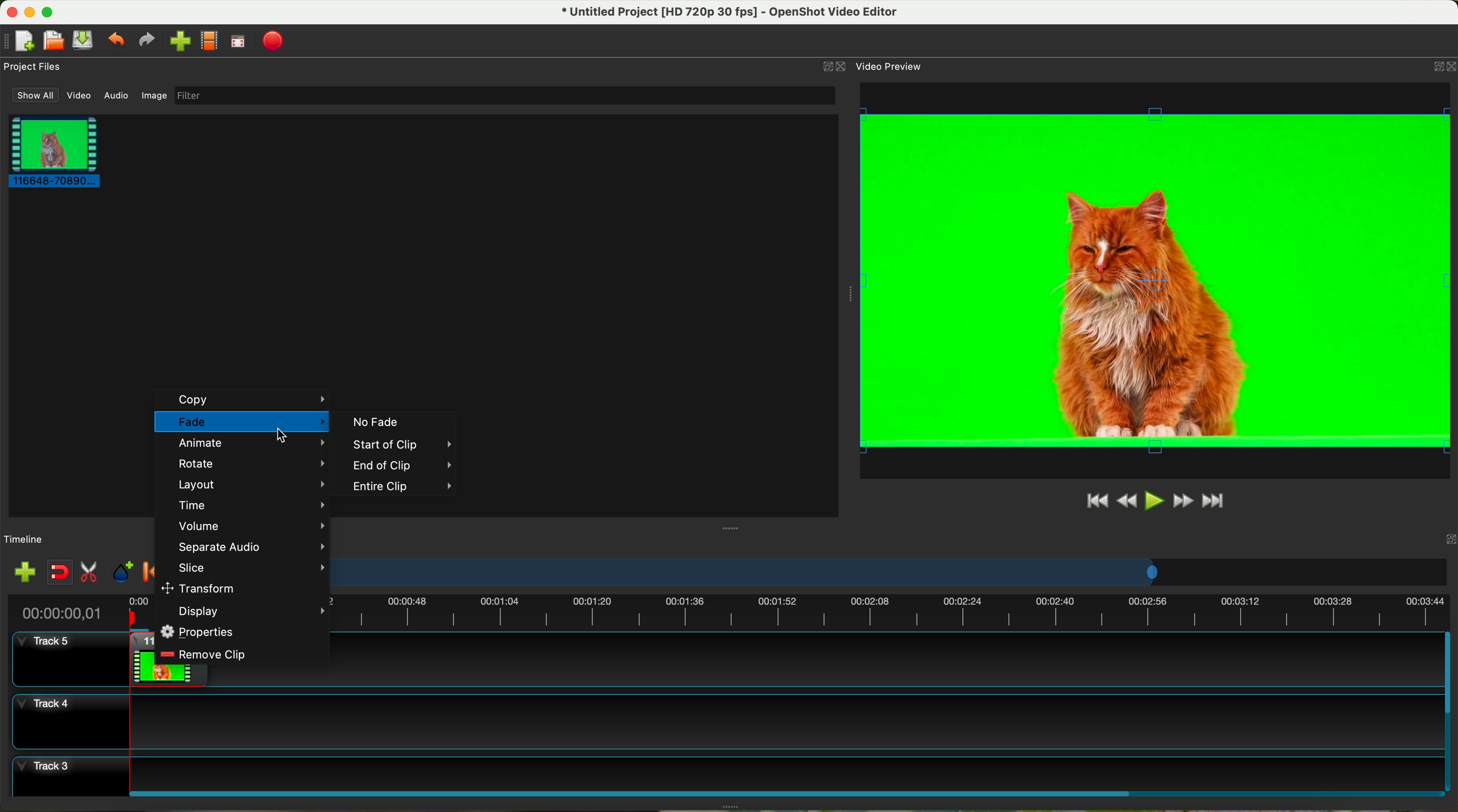 This screenshot has width=1458, height=812. Describe the element at coordinates (1157, 280) in the screenshot. I see `video` at that location.